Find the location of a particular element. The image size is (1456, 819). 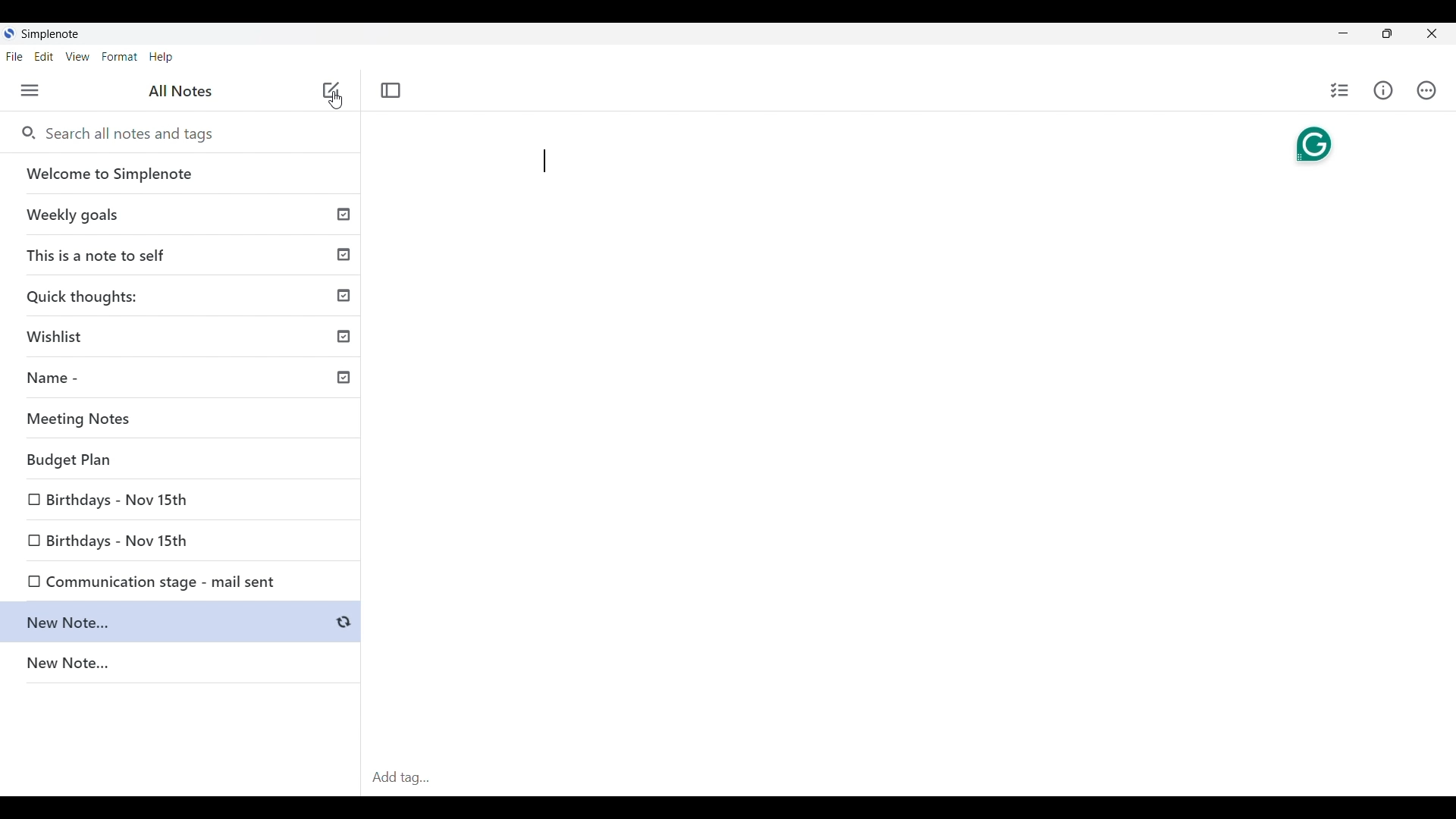

Communication stage - mail sent is located at coordinates (146, 579).